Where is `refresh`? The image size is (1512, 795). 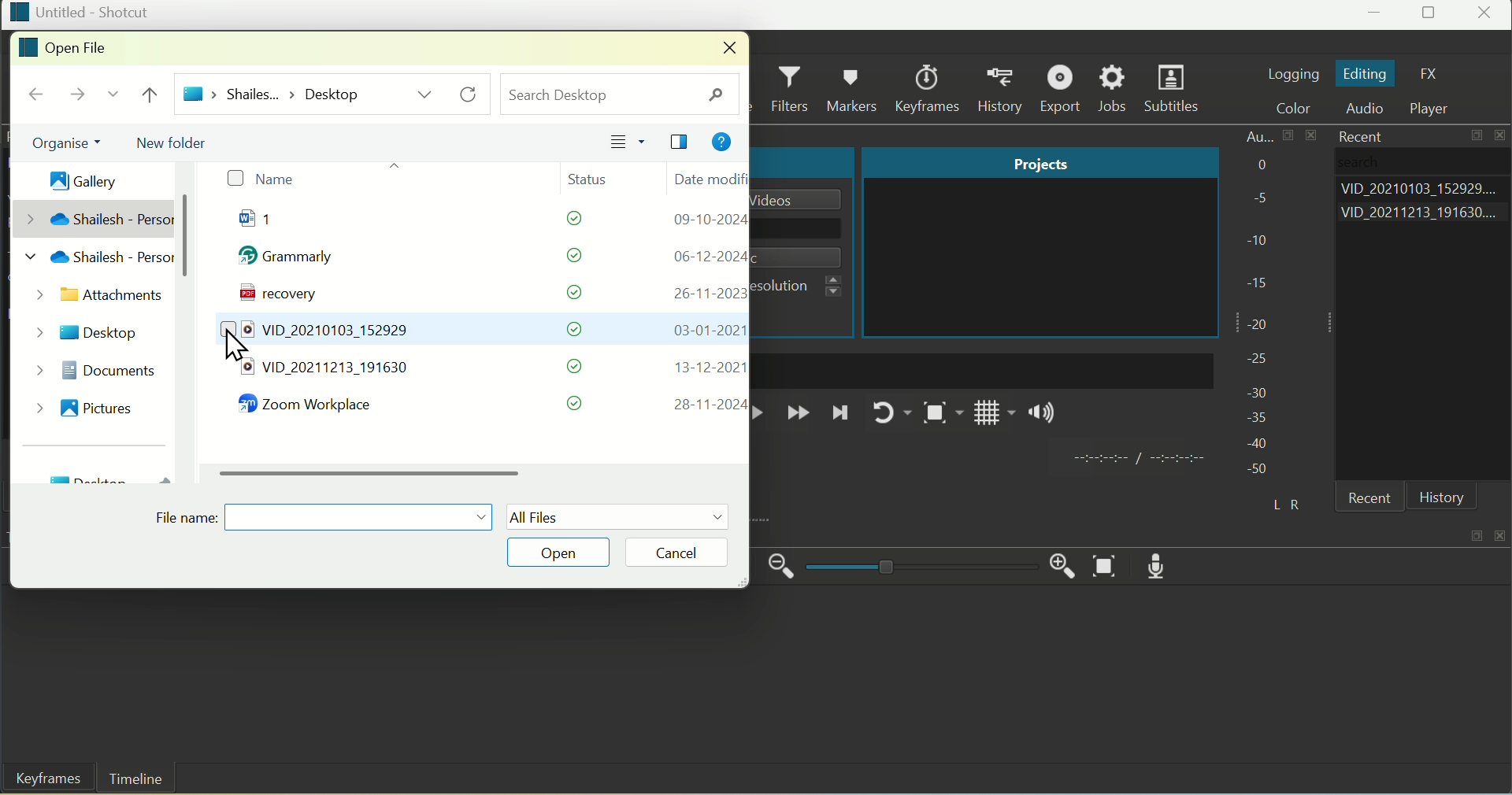 refresh is located at coordinates (472, 94).